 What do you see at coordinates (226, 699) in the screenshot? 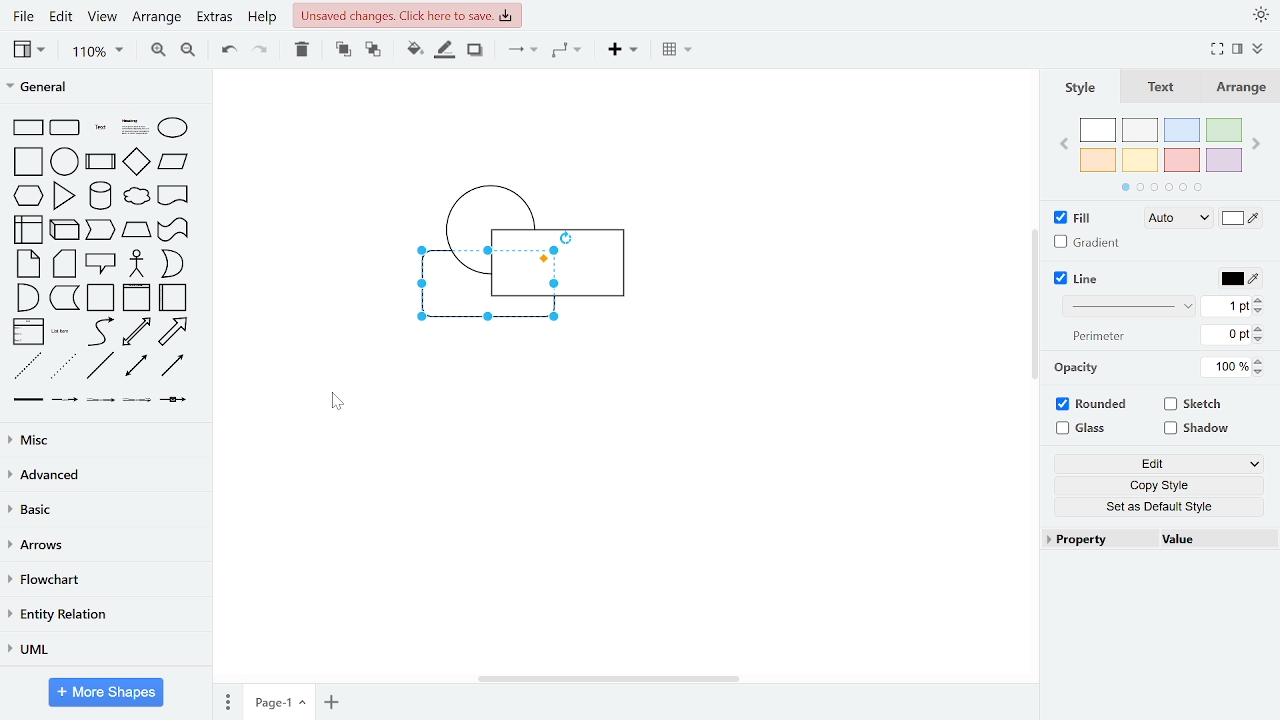
I see `pages` at bounding box center [226, 699].